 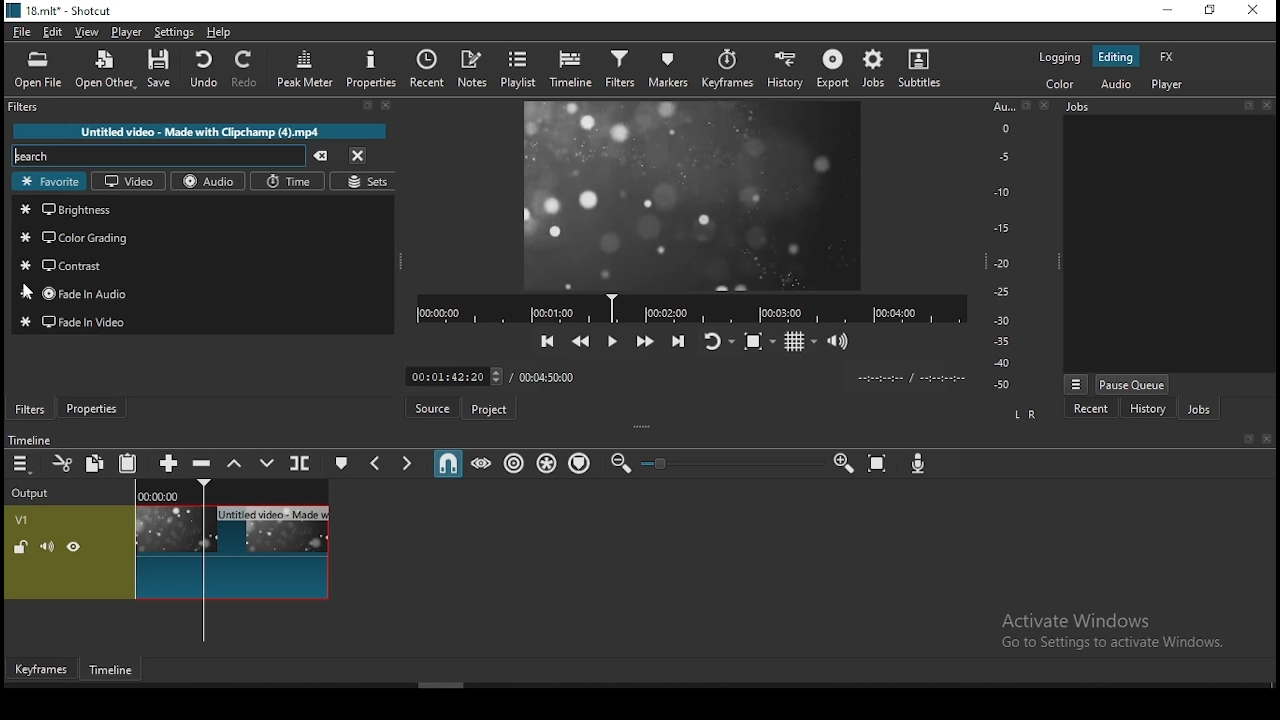 I want to click on zoom timeline to fit, so click(x=878, y=463).